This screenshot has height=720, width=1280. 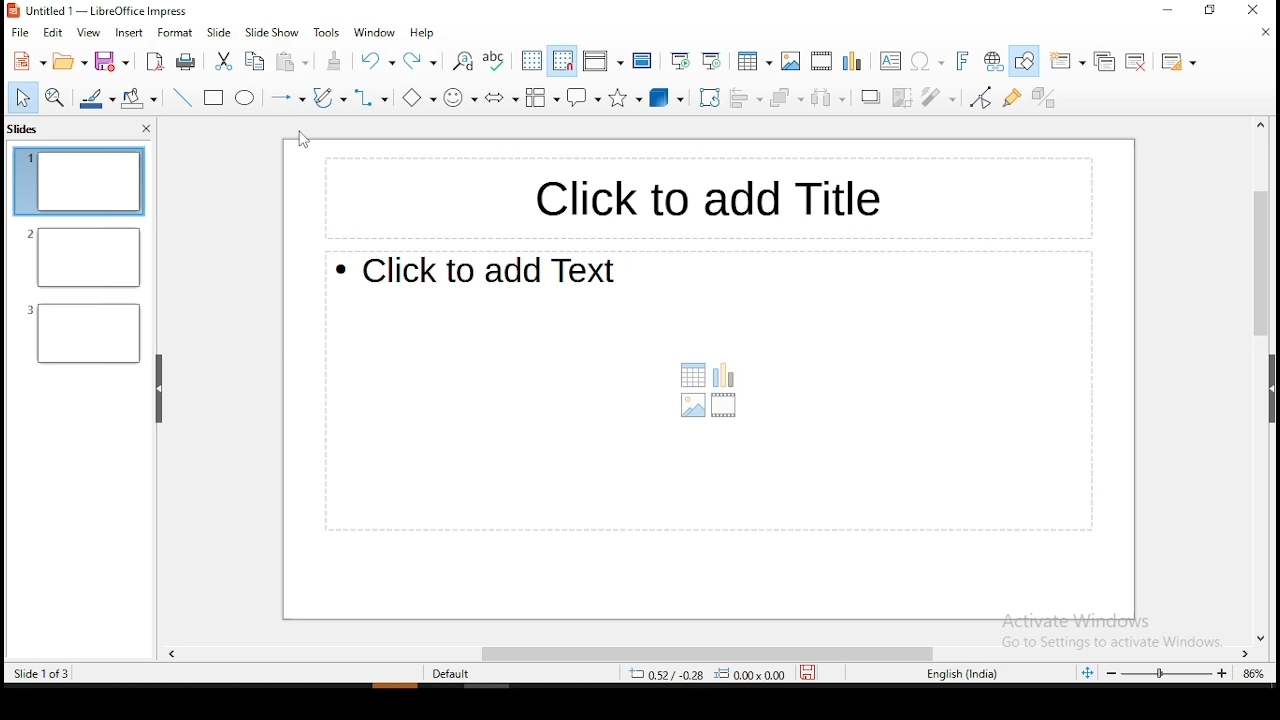 I want to click on toggle extrusion, so click(x=1040, y=98).